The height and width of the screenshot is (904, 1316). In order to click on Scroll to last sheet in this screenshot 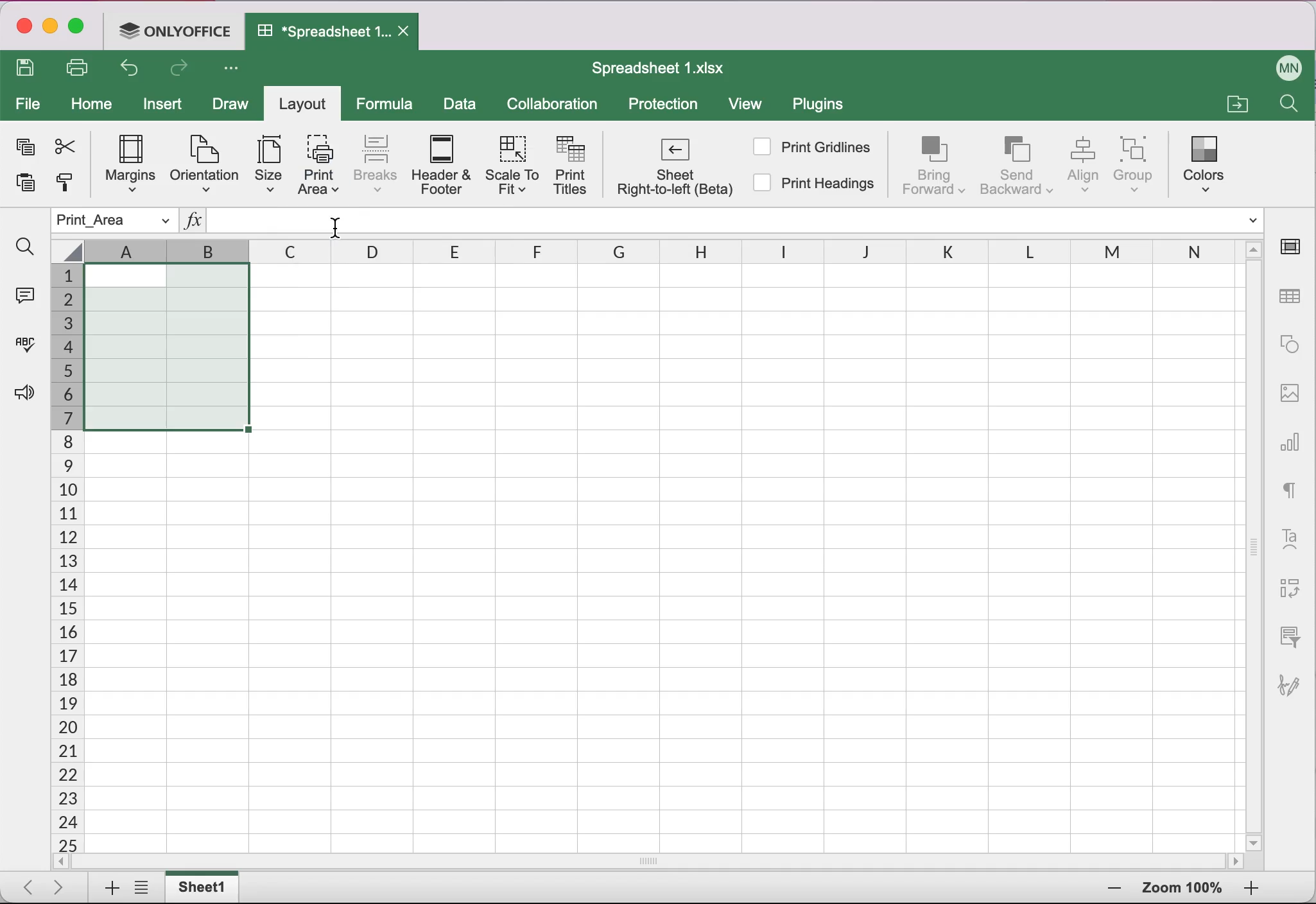, I will do `click(64, 886)`.